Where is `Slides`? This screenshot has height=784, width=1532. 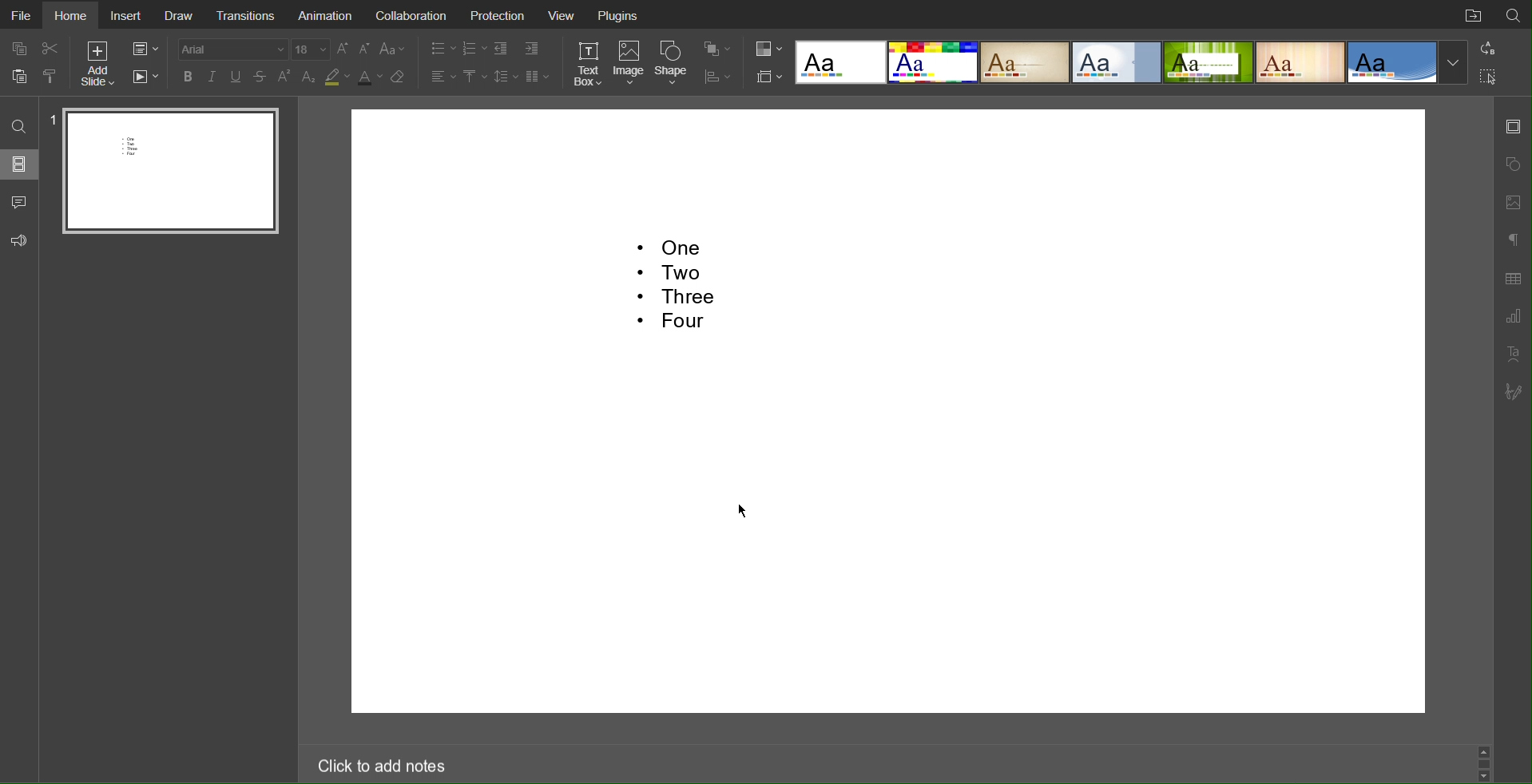 Slides is located at coordinates (22, 164).